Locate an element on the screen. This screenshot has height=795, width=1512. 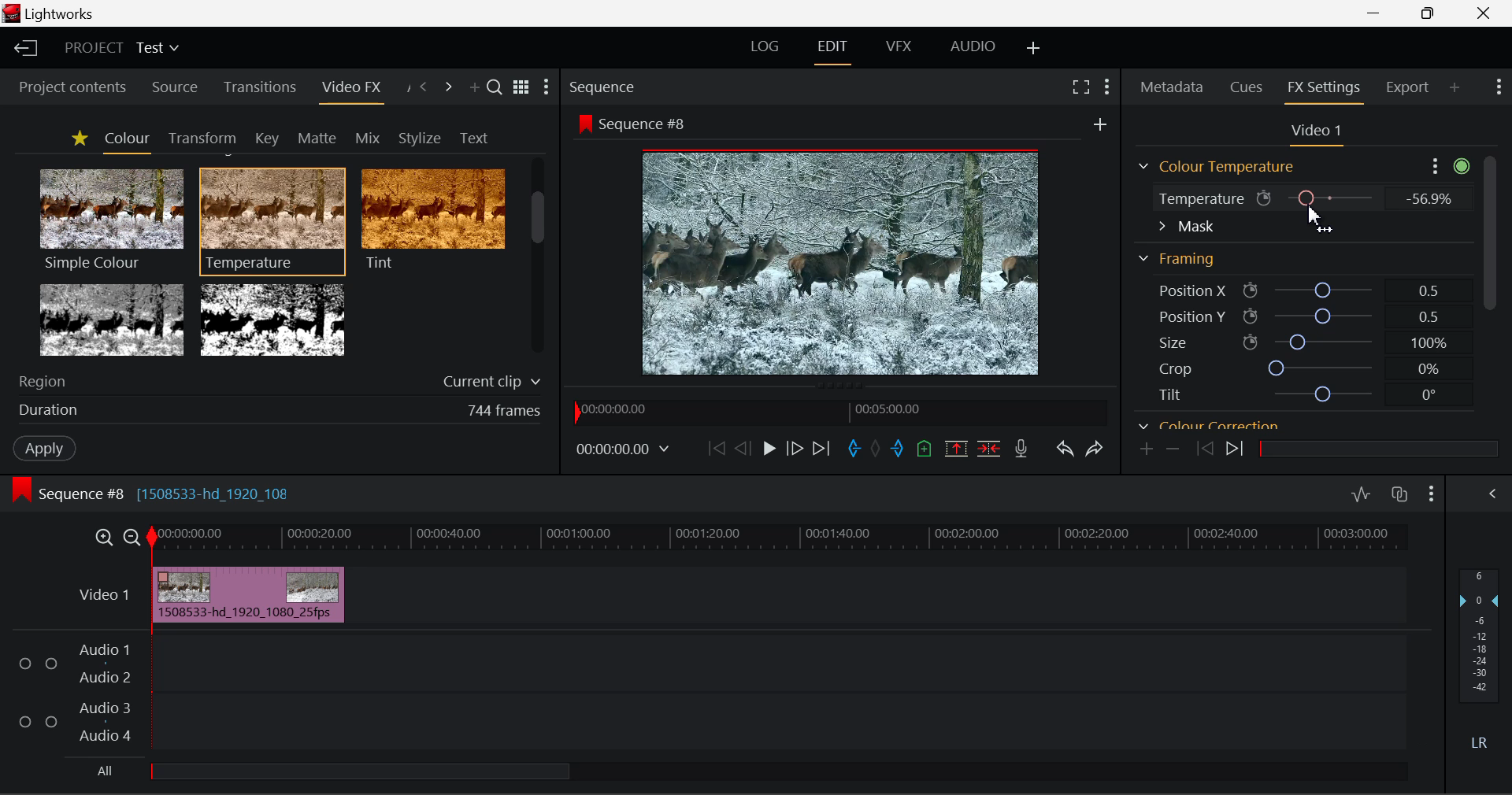
Search is located at coordinates (496, 90).